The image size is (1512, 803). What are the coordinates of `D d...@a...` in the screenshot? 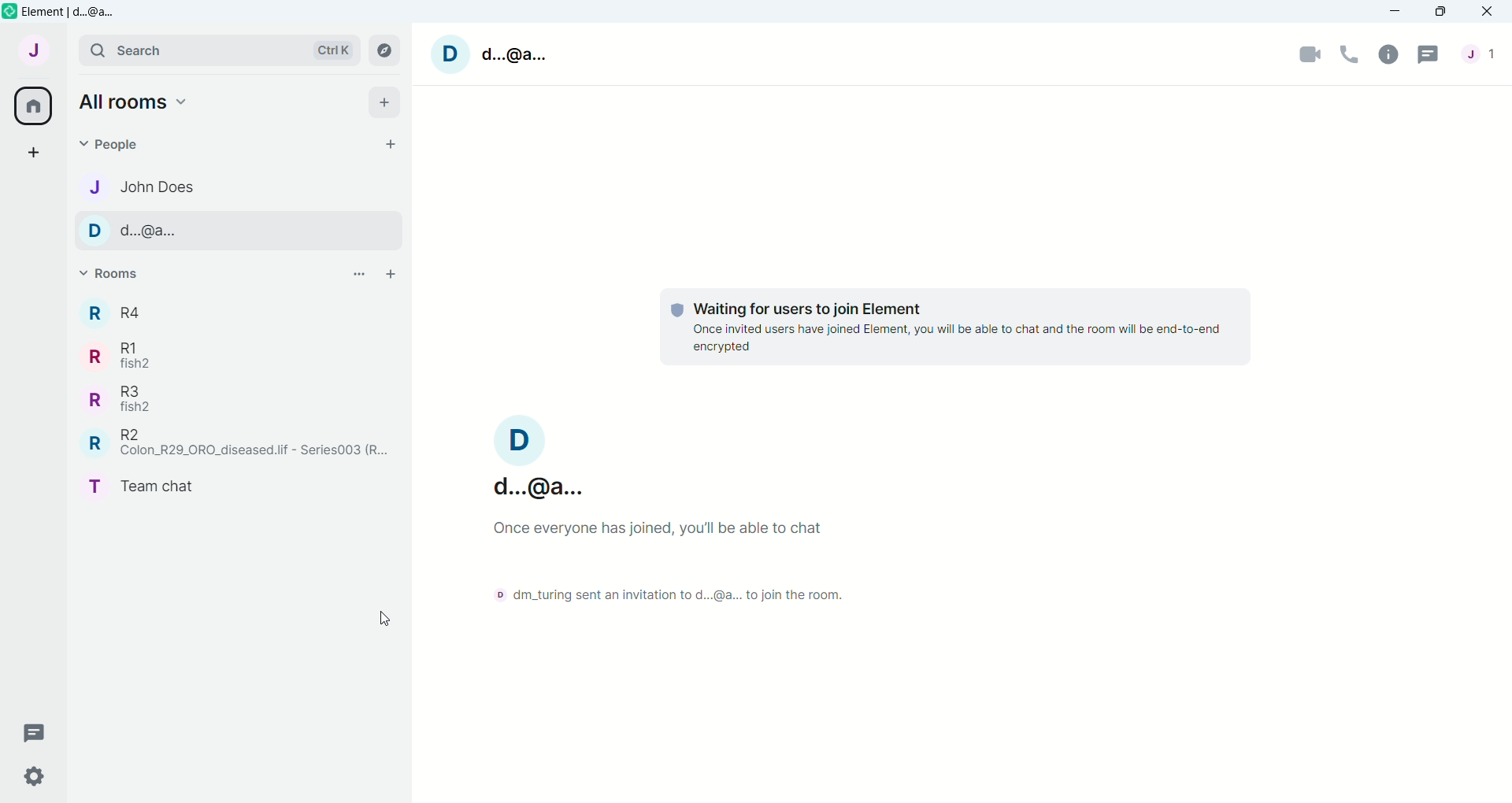 It's located at (153, 231).